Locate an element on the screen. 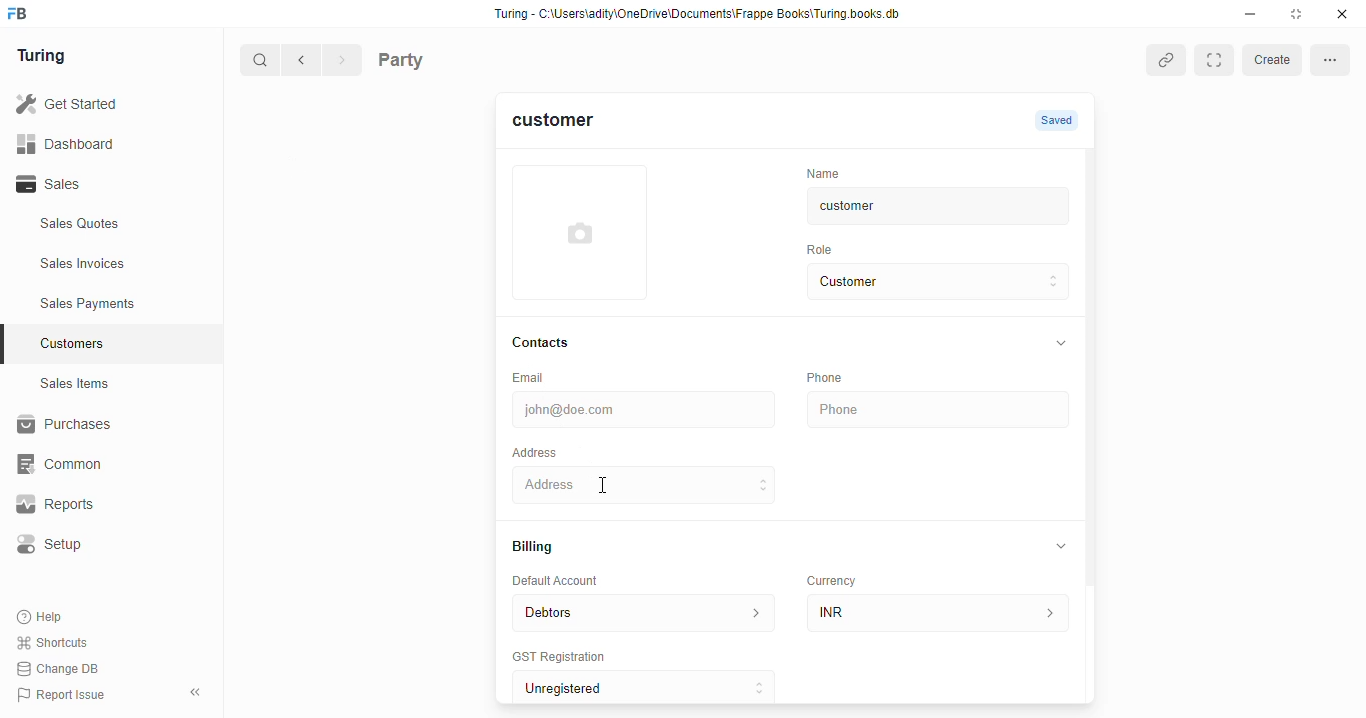 Image resolution: width=1366 pixels, height=718 pixels. INR is located at coordinates (939, 609).